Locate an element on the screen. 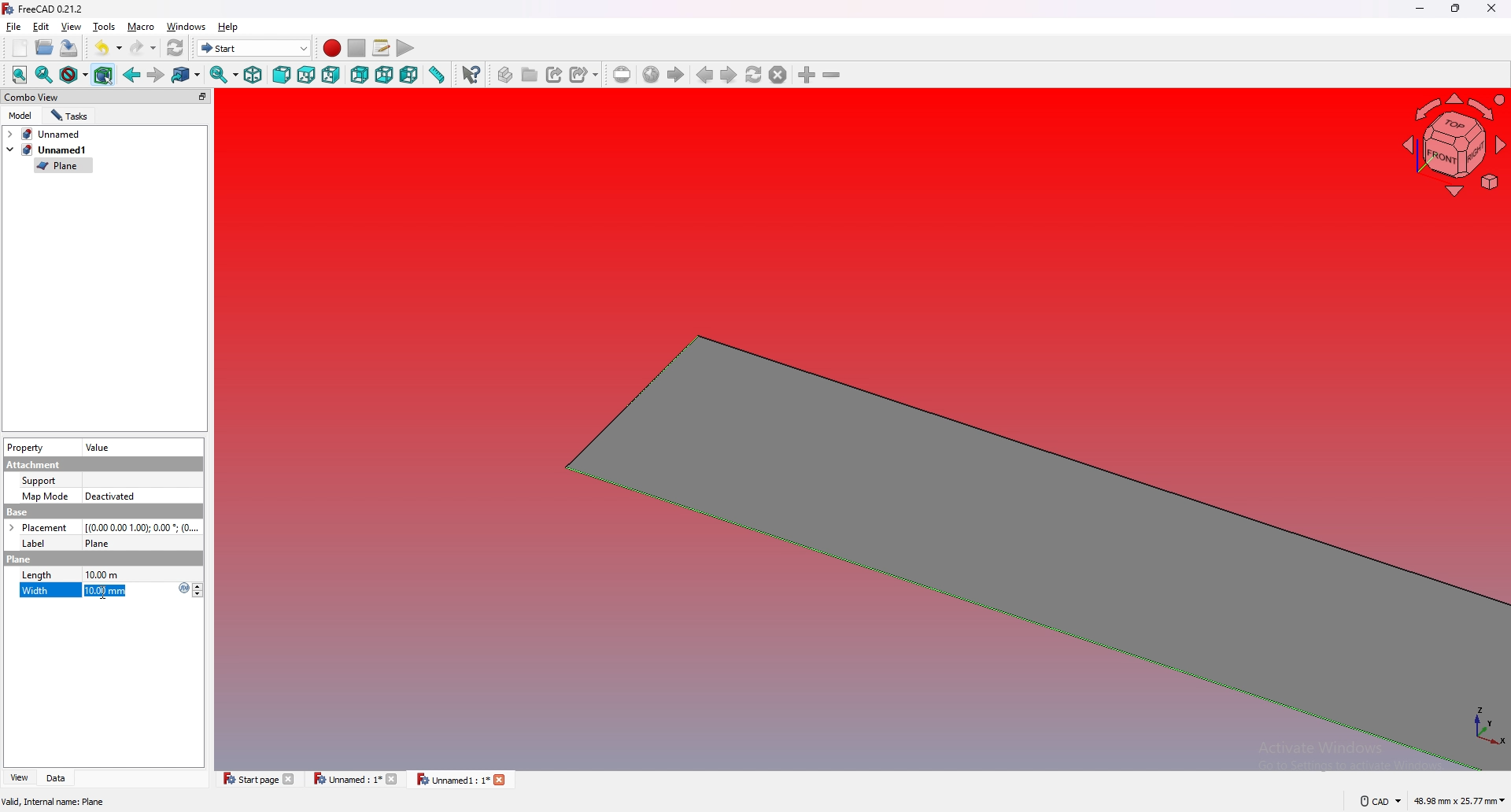  windows is located at coordinates (187, 26).